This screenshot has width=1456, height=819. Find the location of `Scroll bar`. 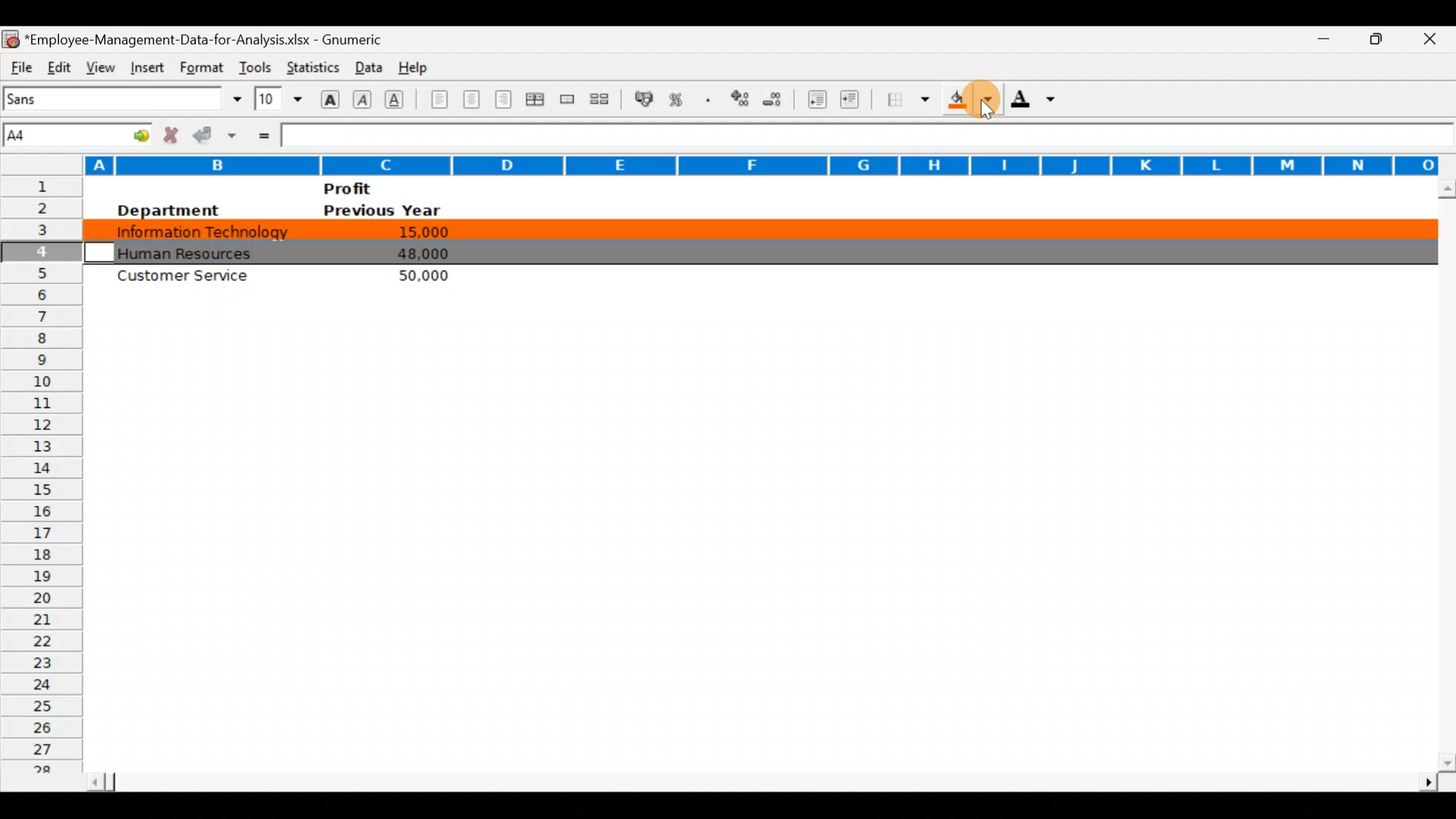

Scroll bar is located at coordinates (1443, 475).